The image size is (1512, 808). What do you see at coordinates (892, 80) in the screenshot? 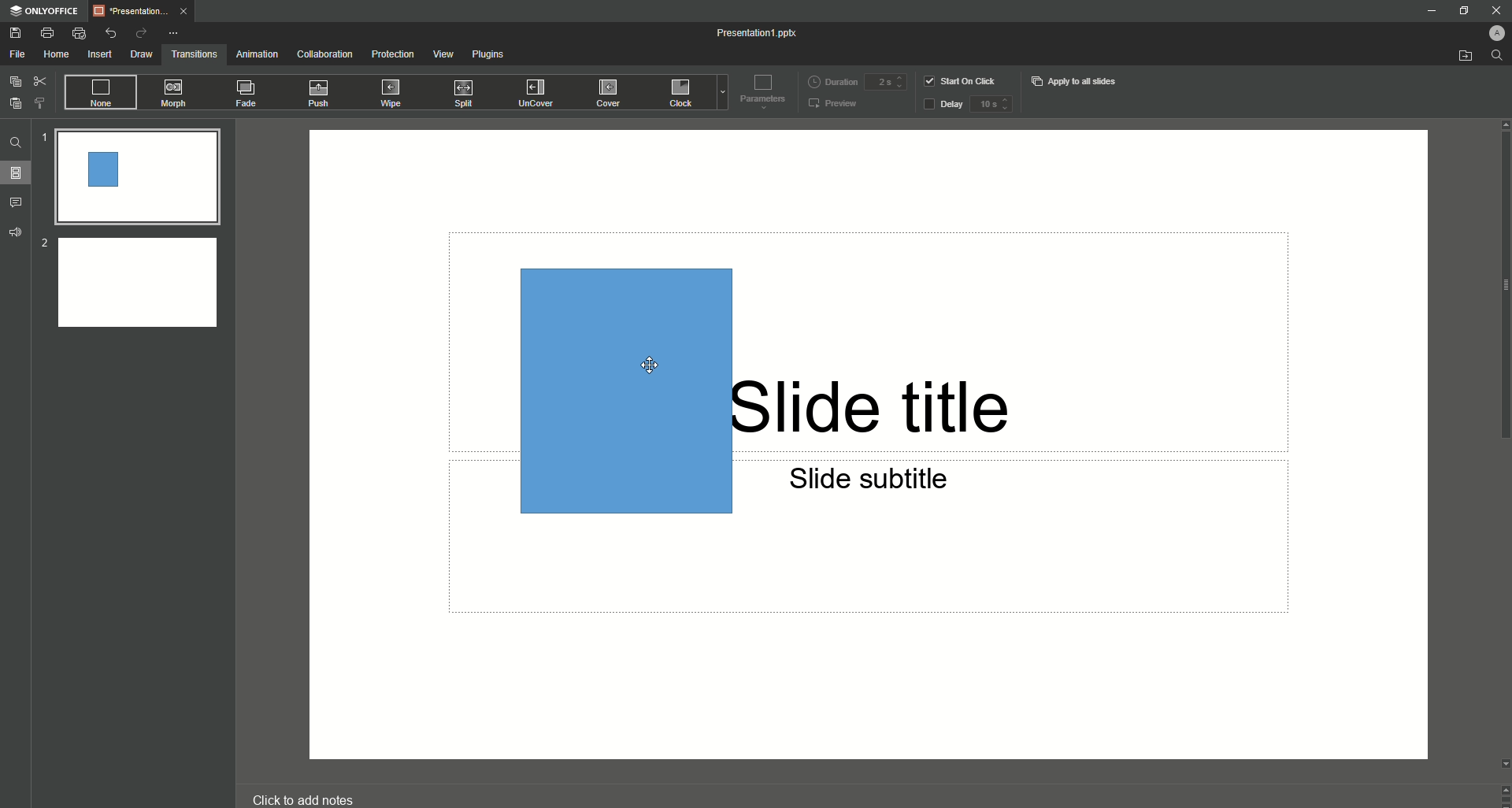
I see `Duration input` at bounding box center [892, 80].